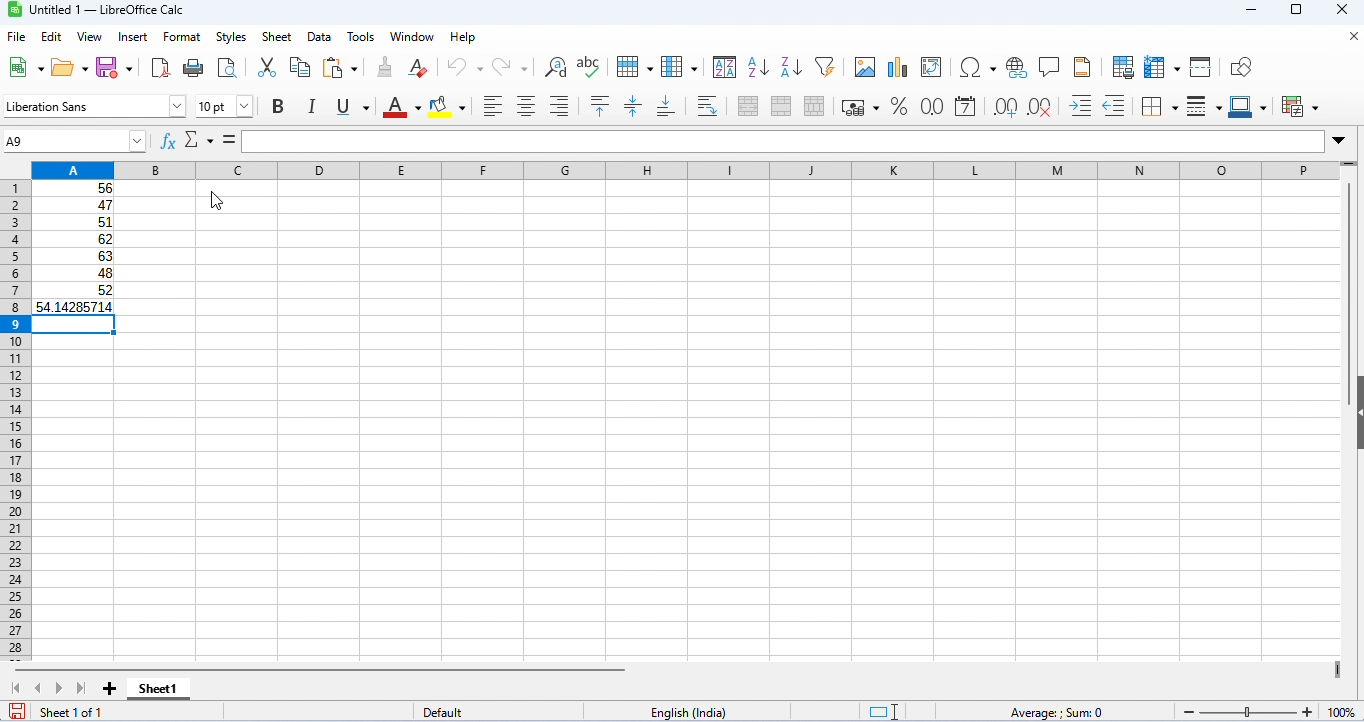  Describe the element at coordinates (157, 689) in the screenshot. I see `sheet1` at that location.